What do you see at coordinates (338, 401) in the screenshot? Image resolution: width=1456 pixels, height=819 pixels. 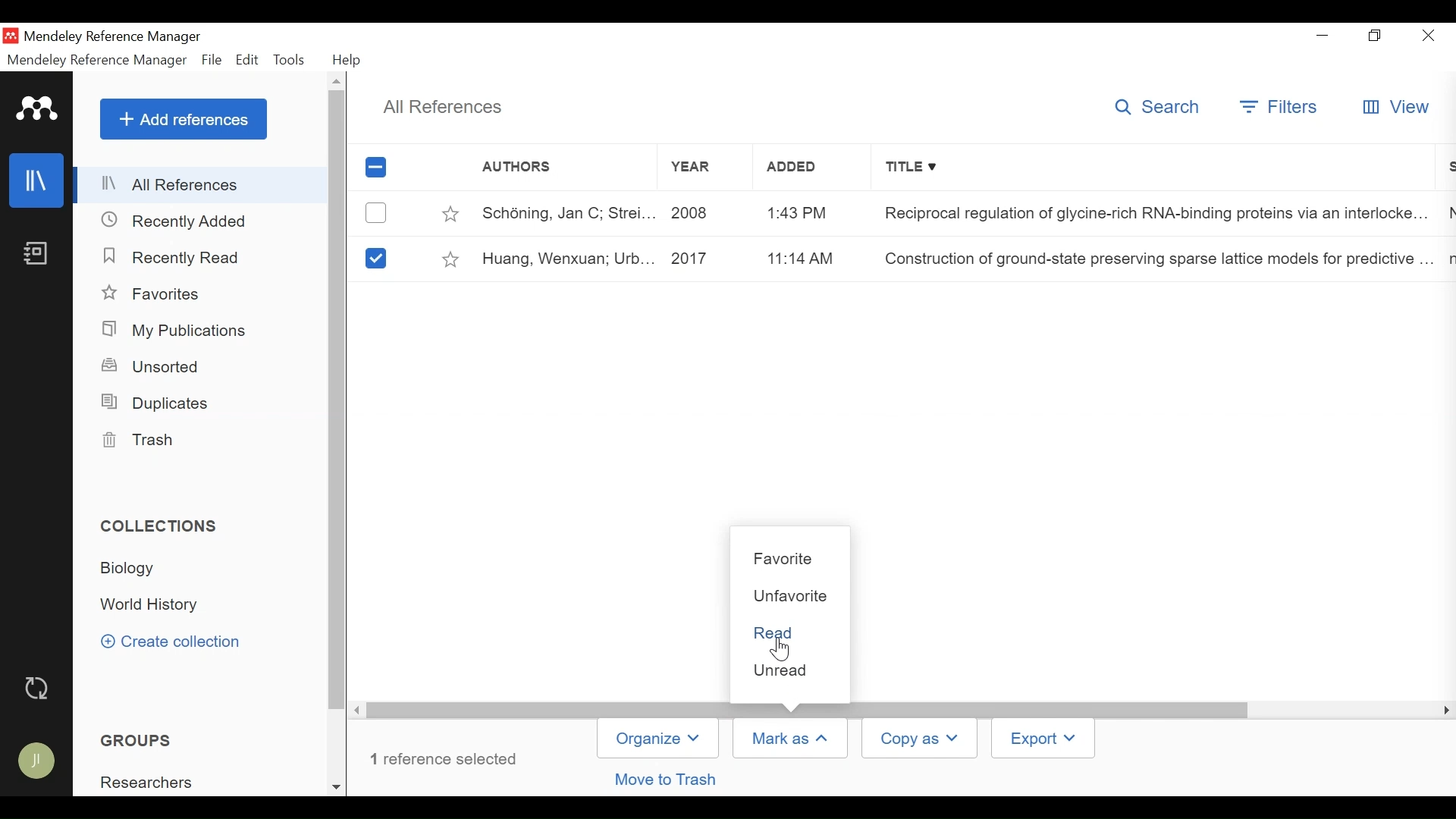 I see `Vertical Scroll bar` at bounding box center [338, 401].